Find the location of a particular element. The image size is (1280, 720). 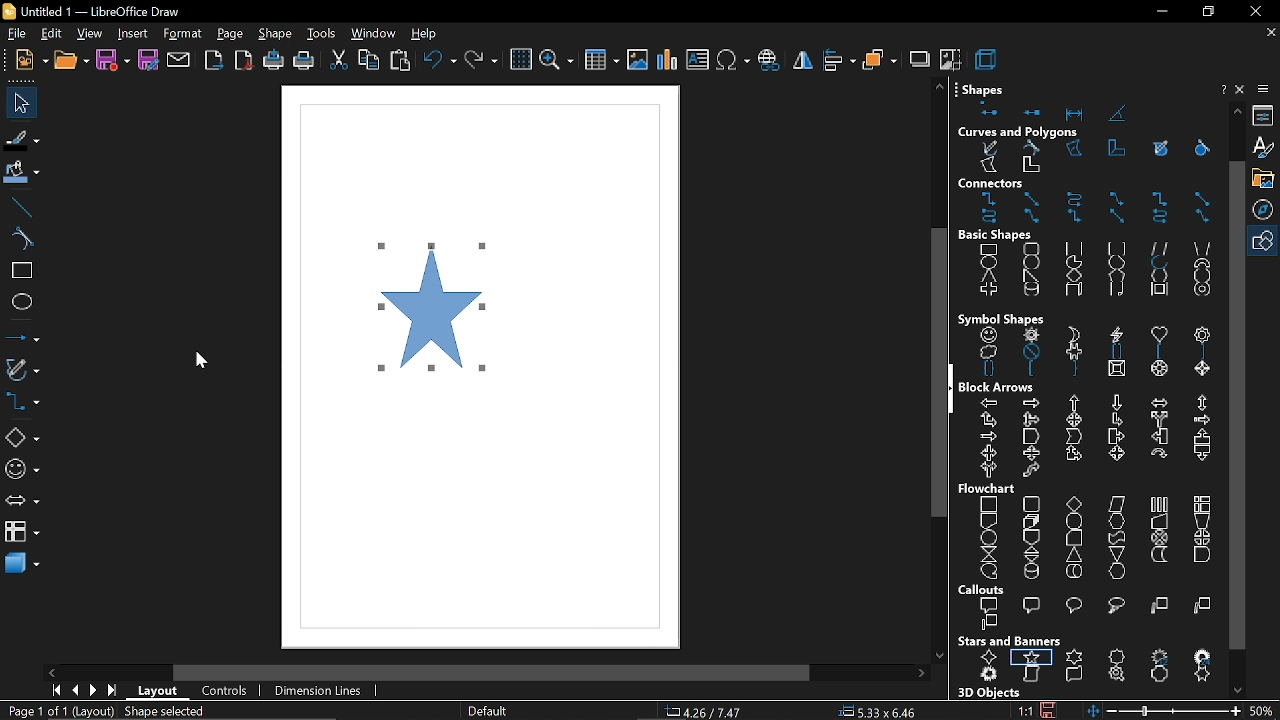

stars and banners is located at coordinates (1092, 666).